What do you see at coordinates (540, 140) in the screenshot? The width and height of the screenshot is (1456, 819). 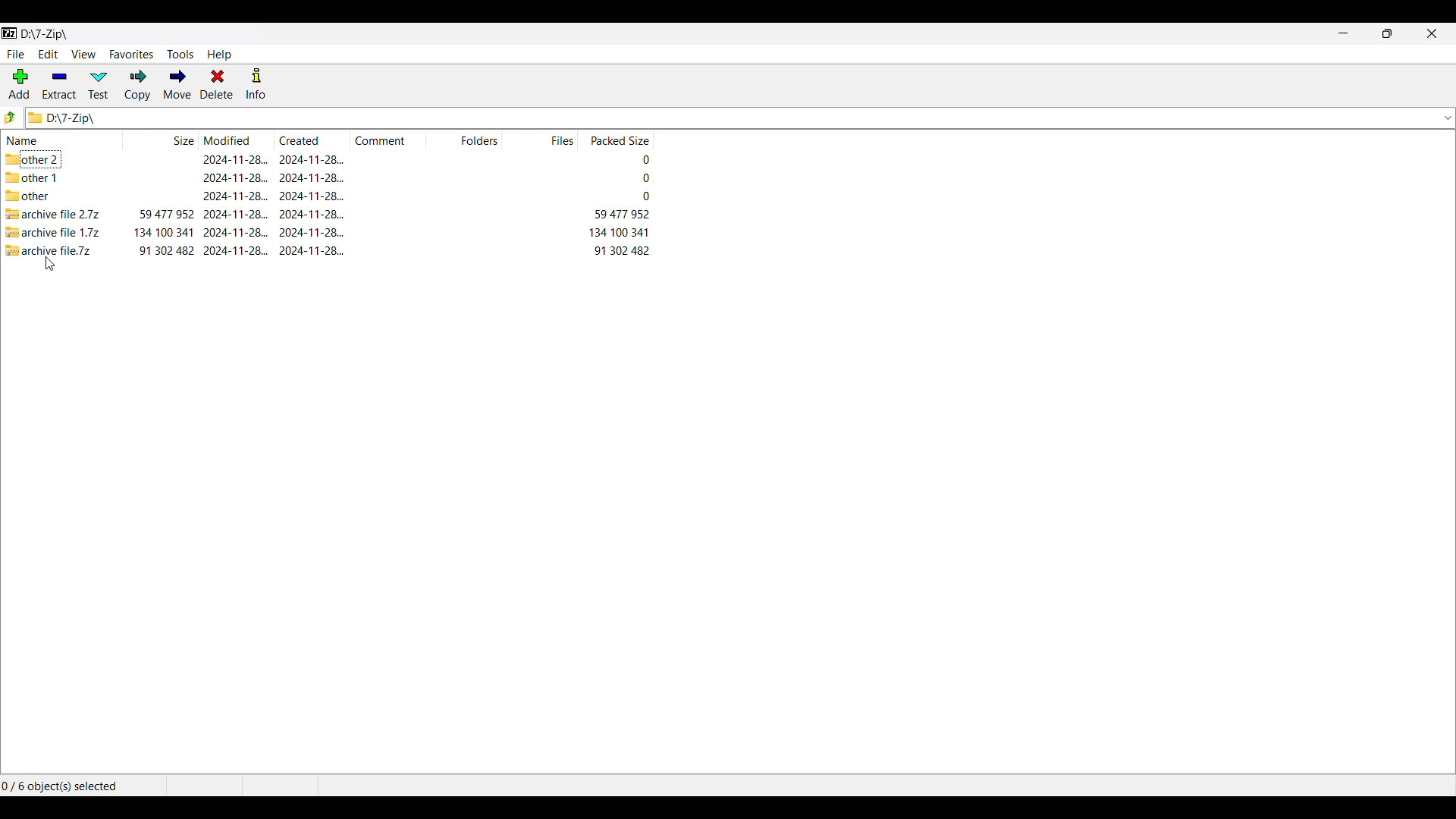 I see `Files column` at bounding box center [540, 140].